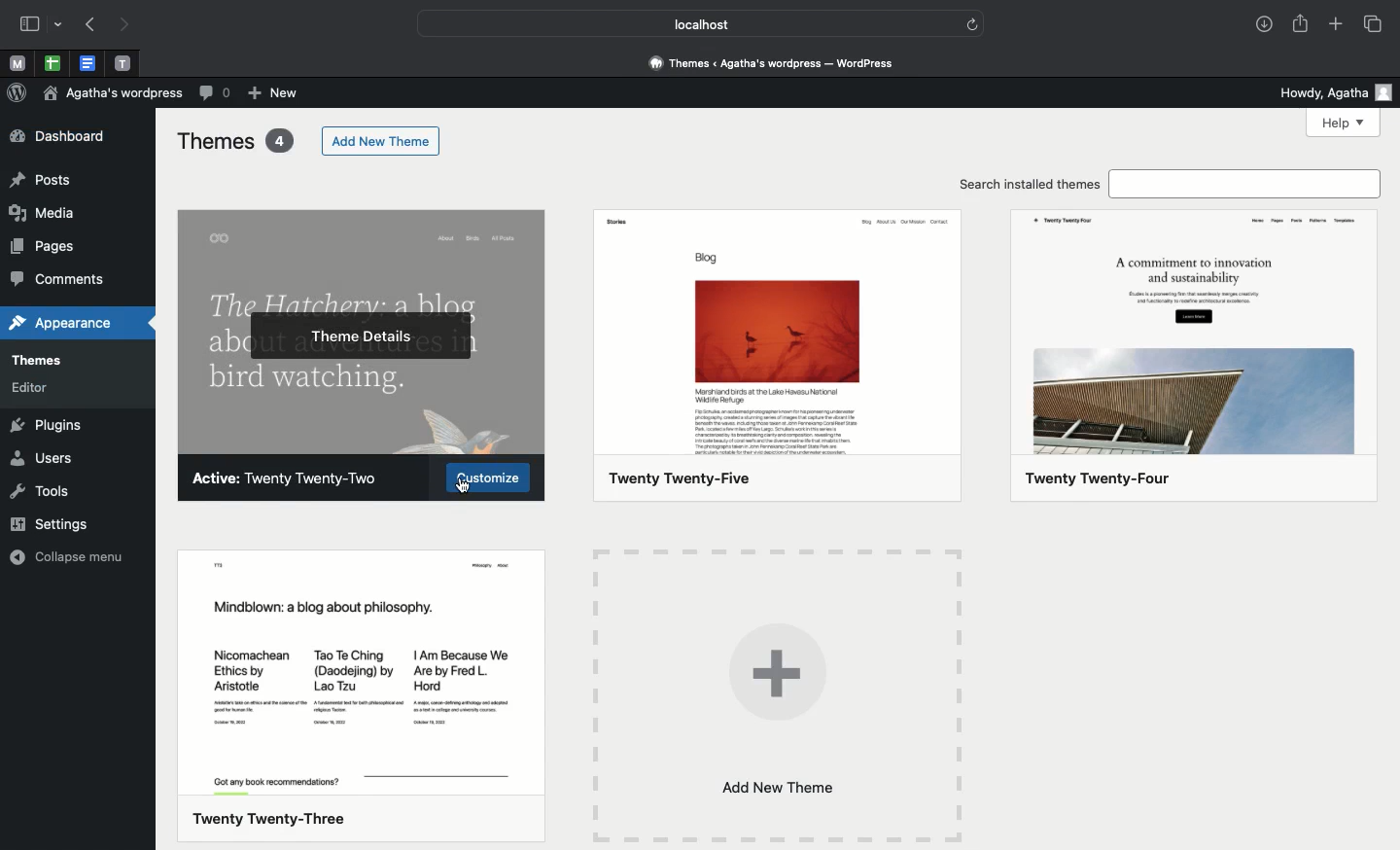 The height and width of the screenshot is (850, 1400). Describe the element at coordinates (56, 362) in the screenshot. I see `Themes` at that location.